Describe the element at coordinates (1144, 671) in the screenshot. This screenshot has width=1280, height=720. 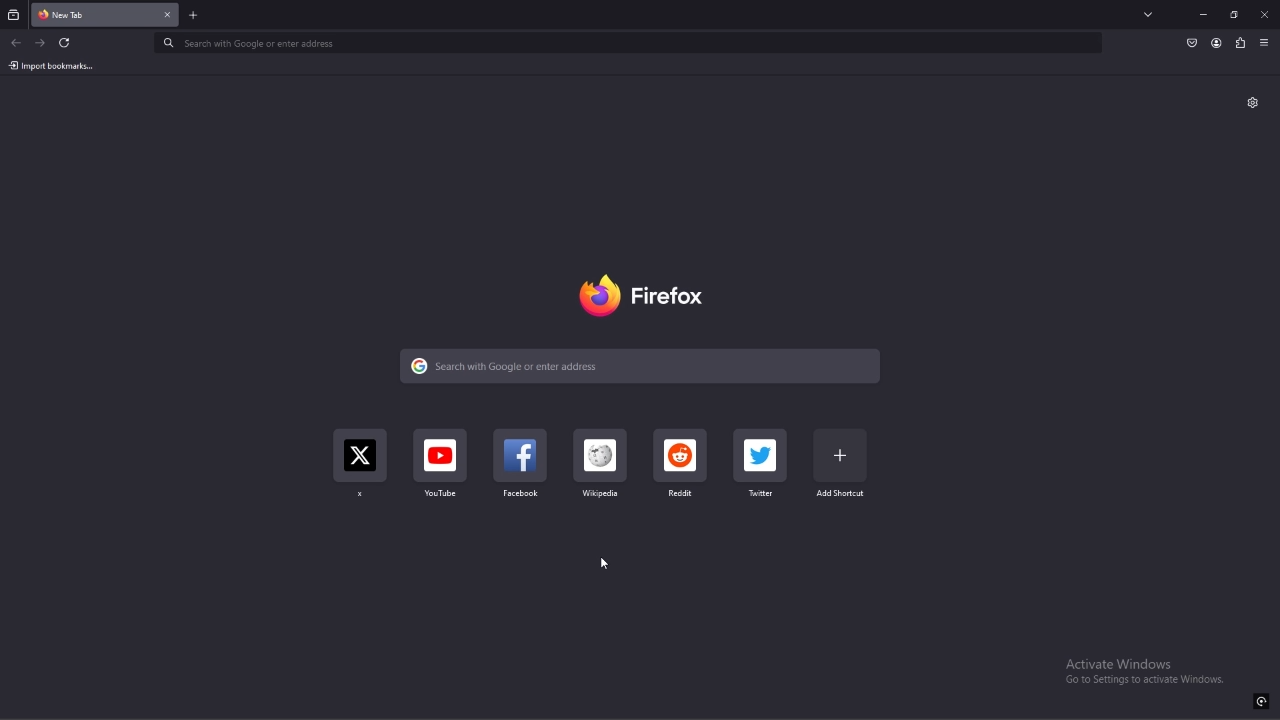
I see `text` at that location.